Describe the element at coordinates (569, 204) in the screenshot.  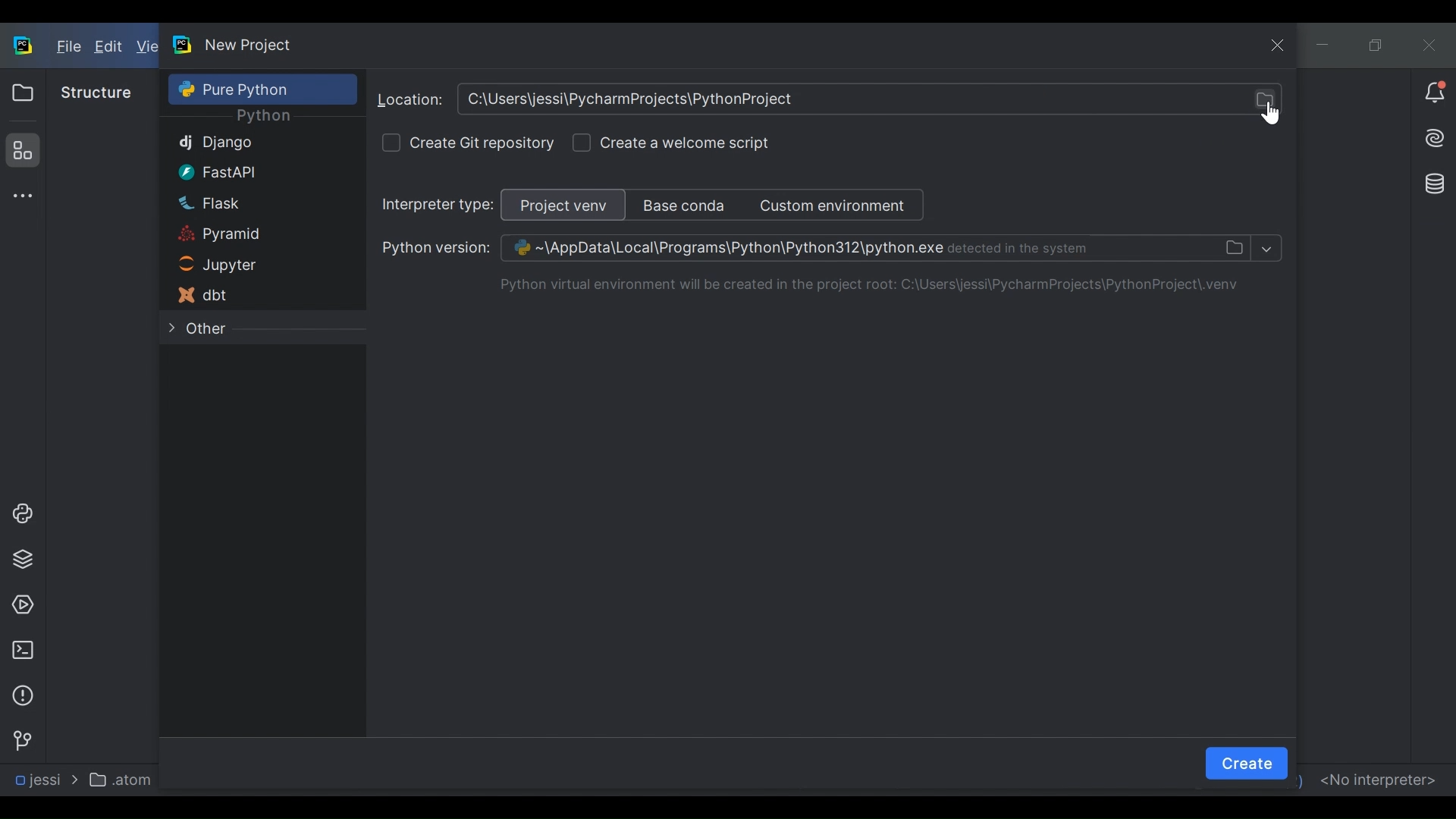
I see `Project View` at that location.